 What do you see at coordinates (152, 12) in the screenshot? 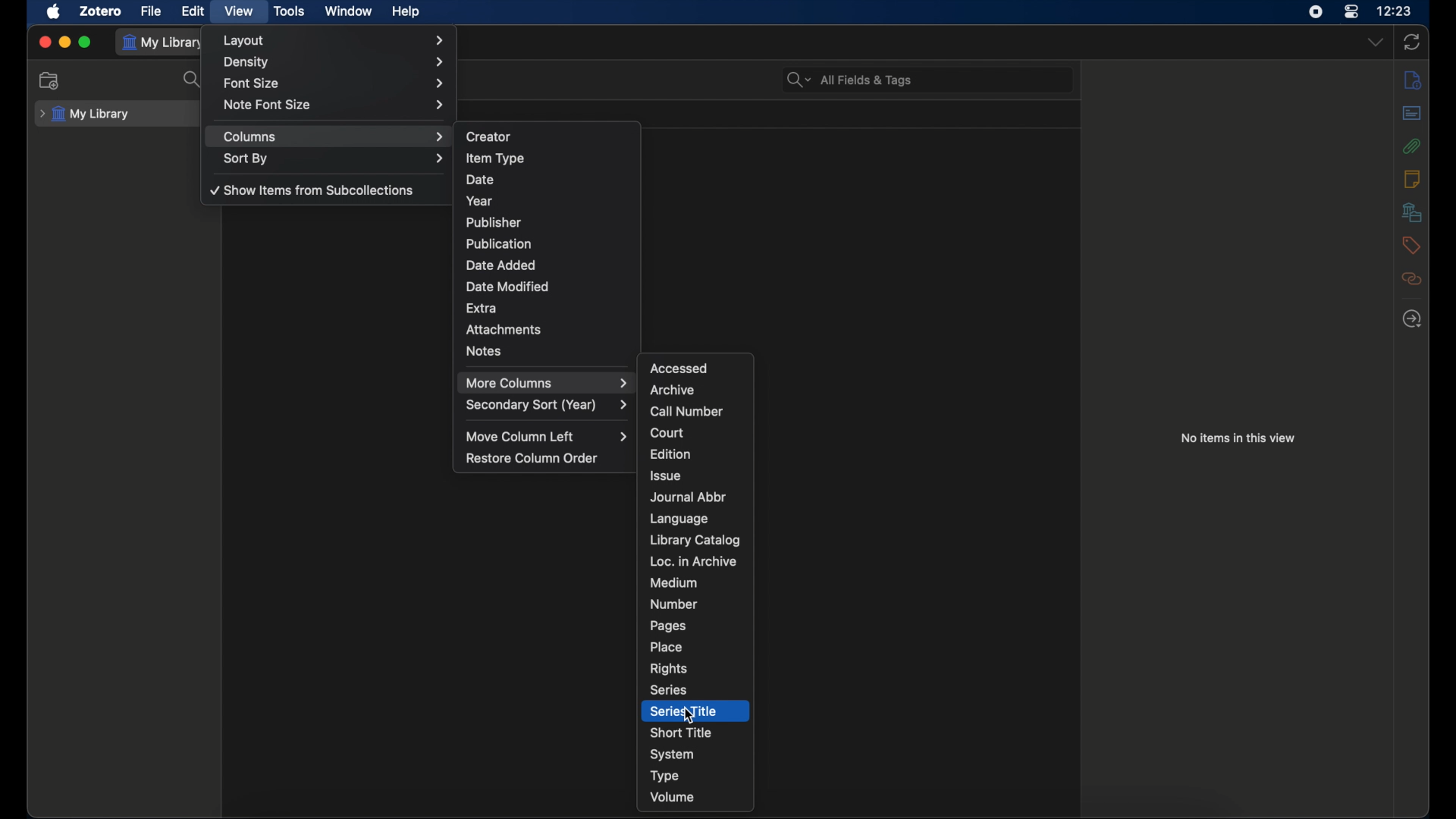
I see `file` at bounding box center [152, 12].